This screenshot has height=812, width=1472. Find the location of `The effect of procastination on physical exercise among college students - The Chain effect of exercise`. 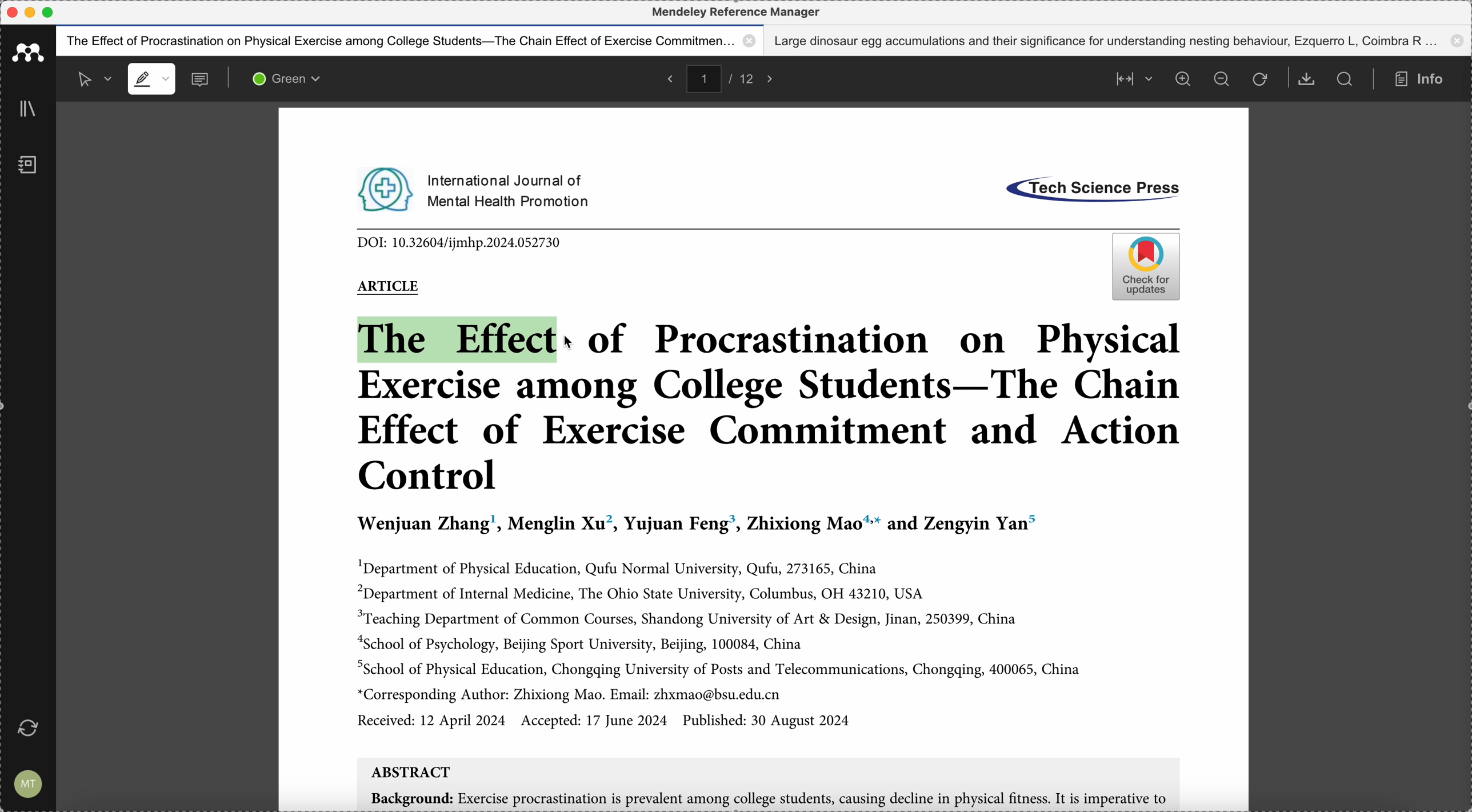

The effect of procastination on physical exercise among college students - The Chain effect of exercise is located at coordinates (410, 41).